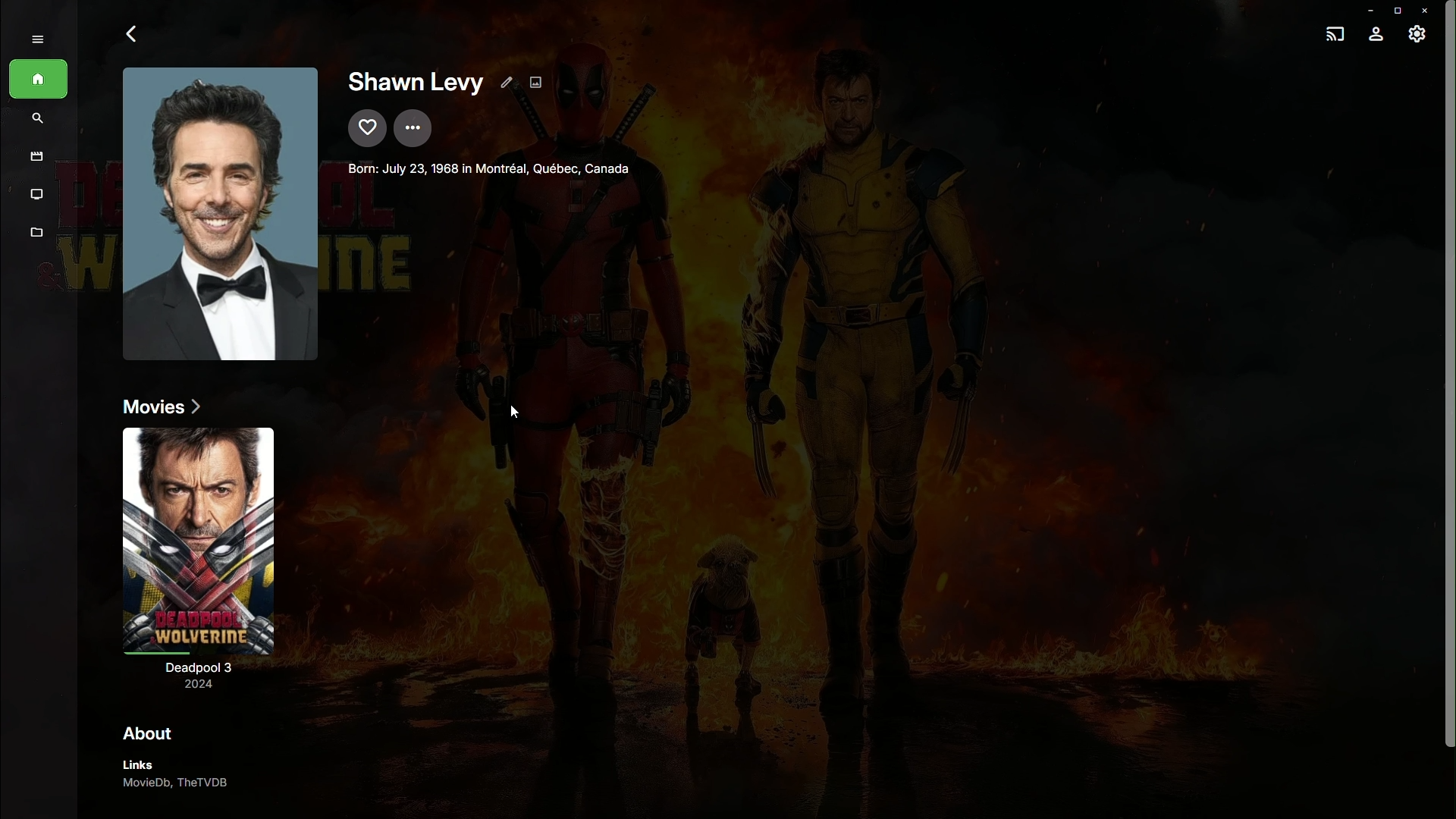 Image resolution: width=1456 pixels, height=819 pixels. I want to click on Movies, so click(37, 157).